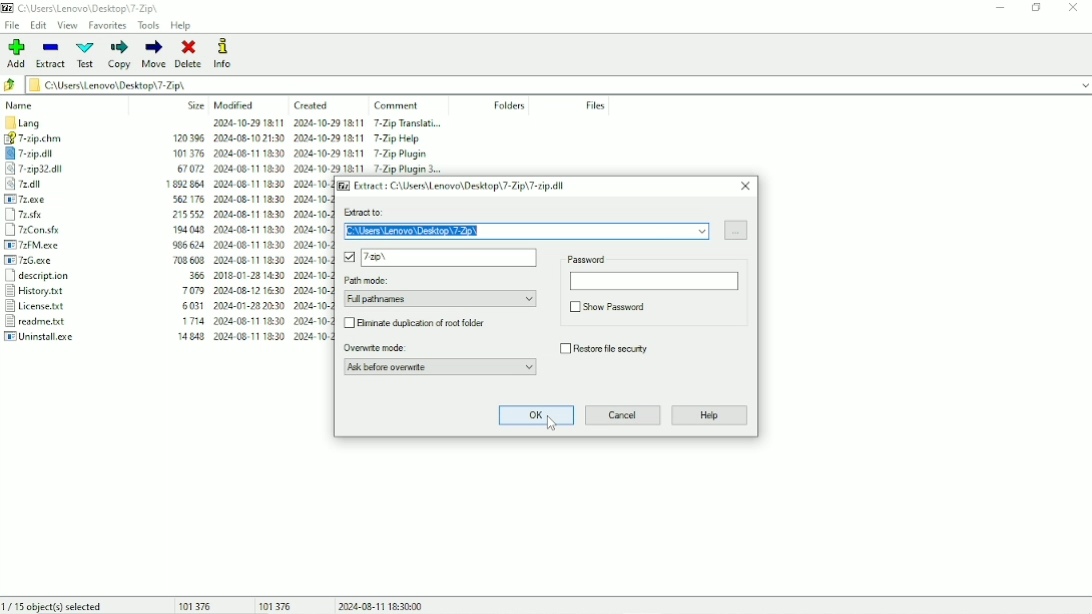  Describe the element at coordinates (558, 85) in the screenshot. I see `File name and location` at that location.